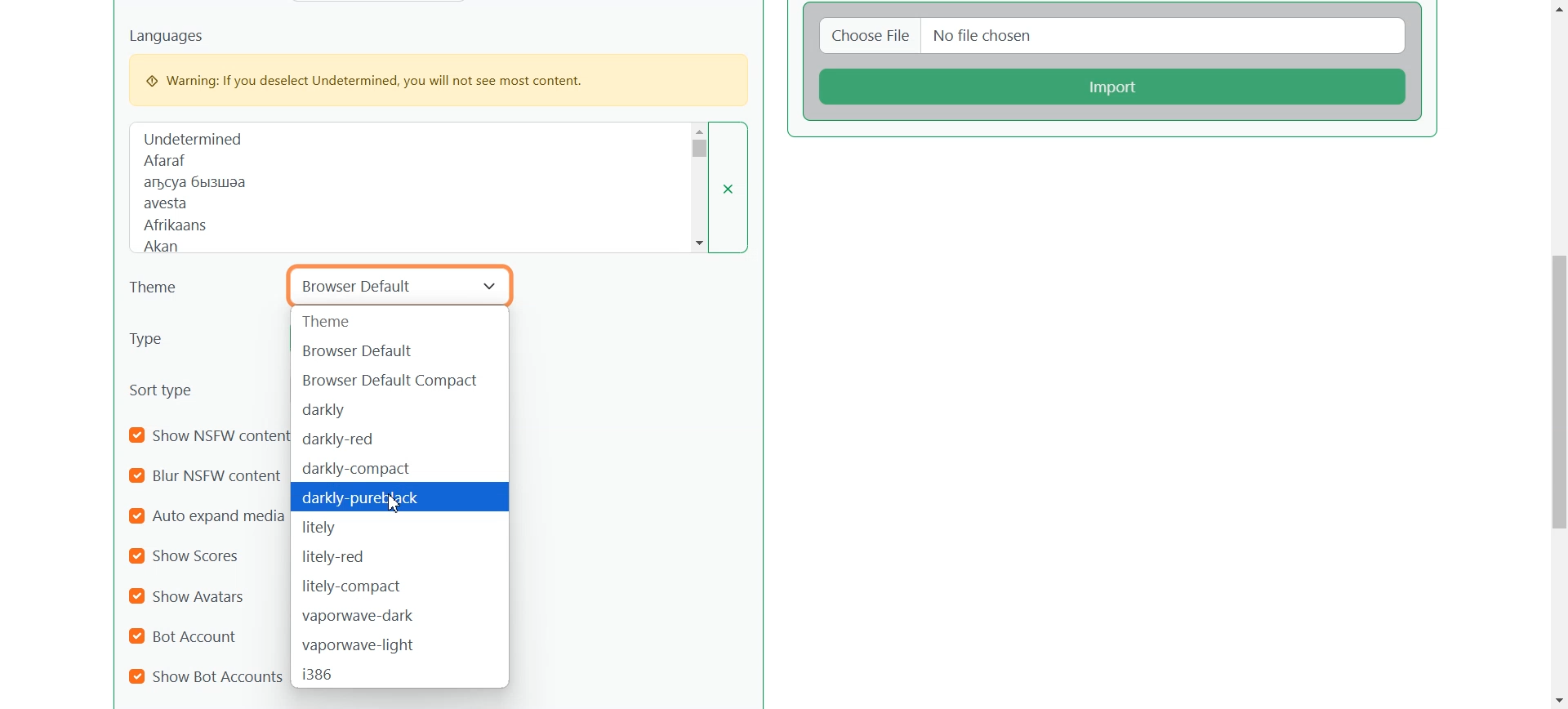  Describe the element at coordinates (402, 497) in the screenshot. I see `darkly-pure black` at that location.